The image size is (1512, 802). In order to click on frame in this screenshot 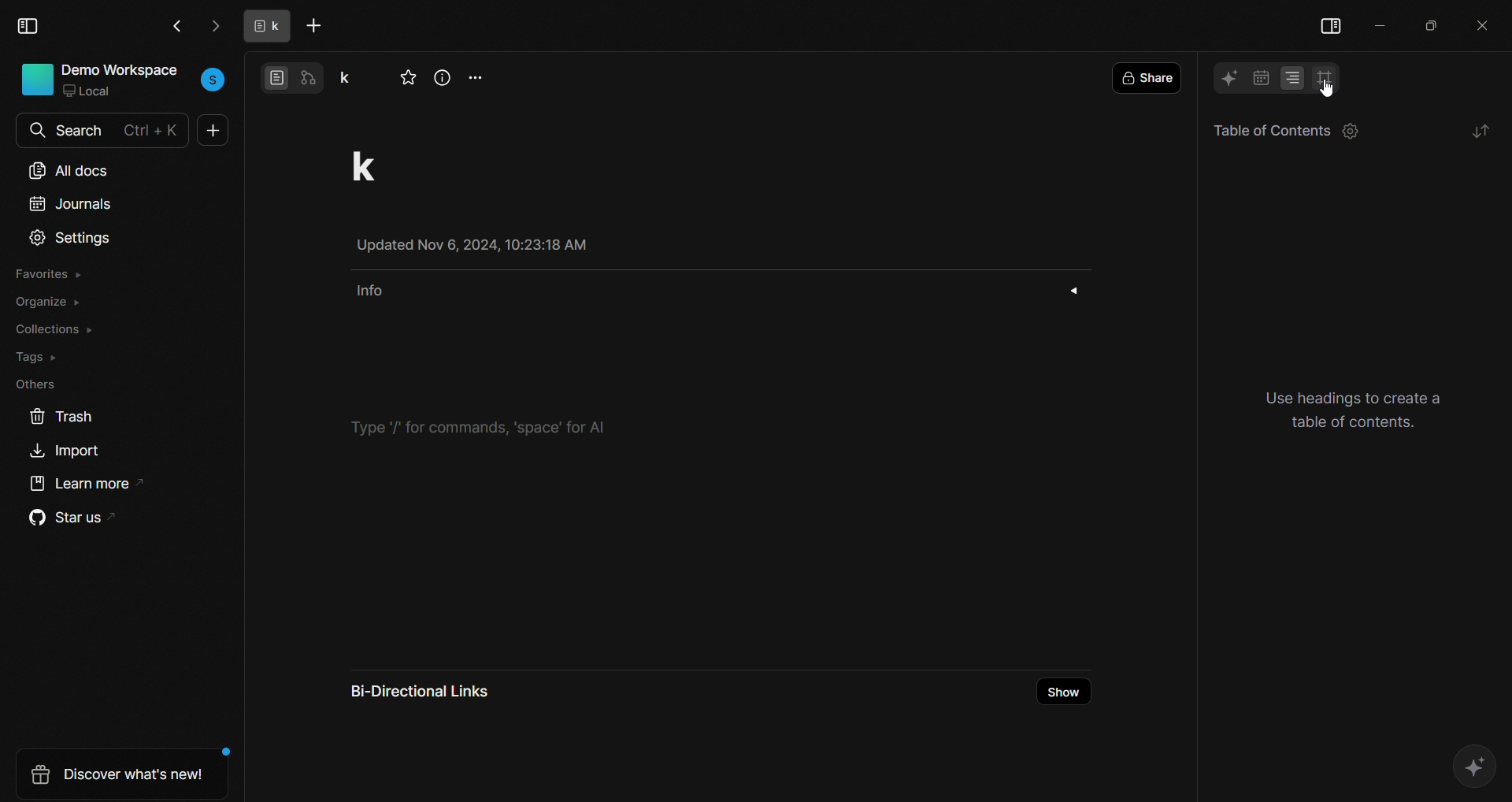, I will do `click(1326, 78)`.